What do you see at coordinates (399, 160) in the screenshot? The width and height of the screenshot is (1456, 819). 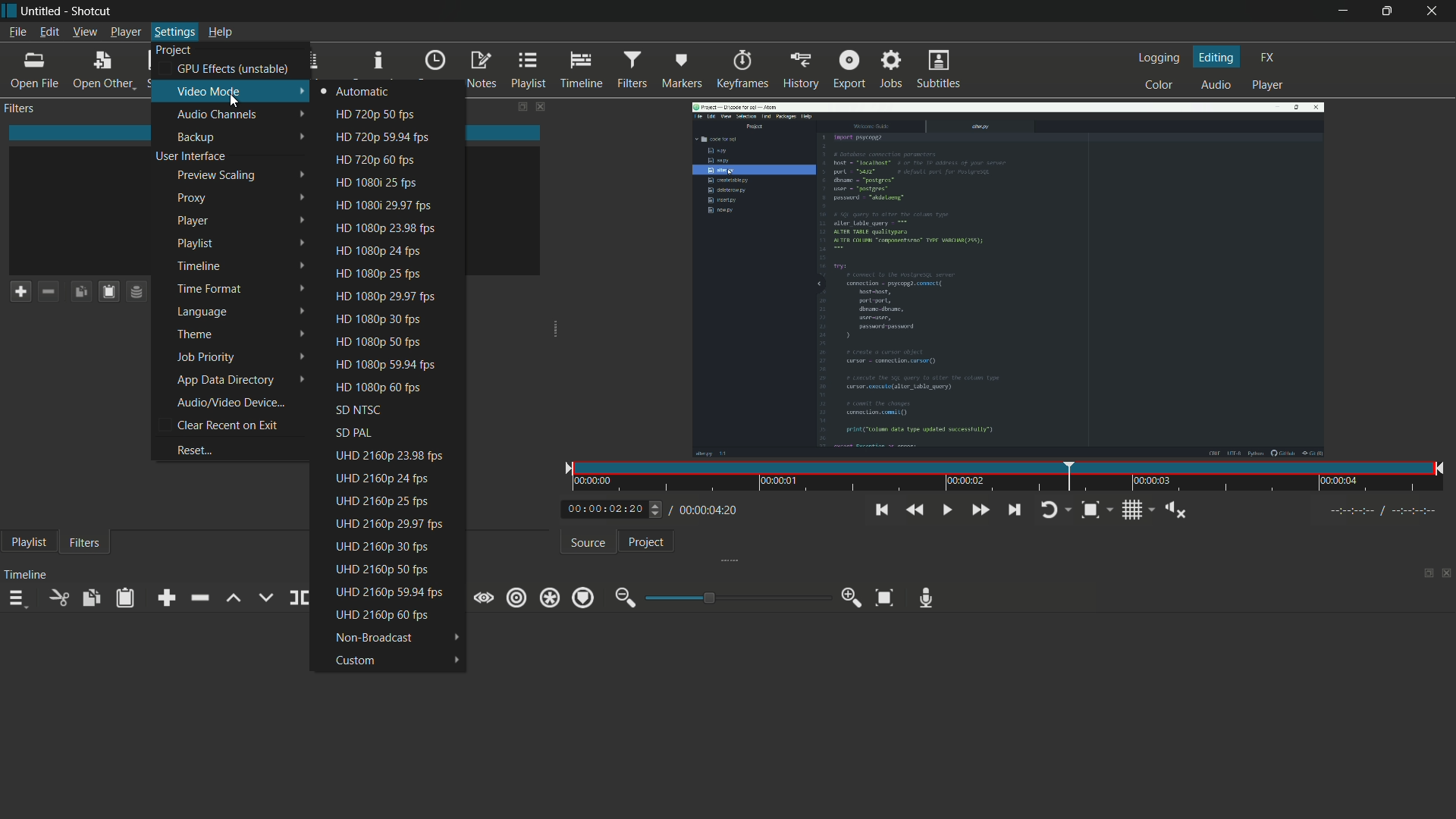 I see `hd 720p 60 fps` at bounding box center [399, 160].